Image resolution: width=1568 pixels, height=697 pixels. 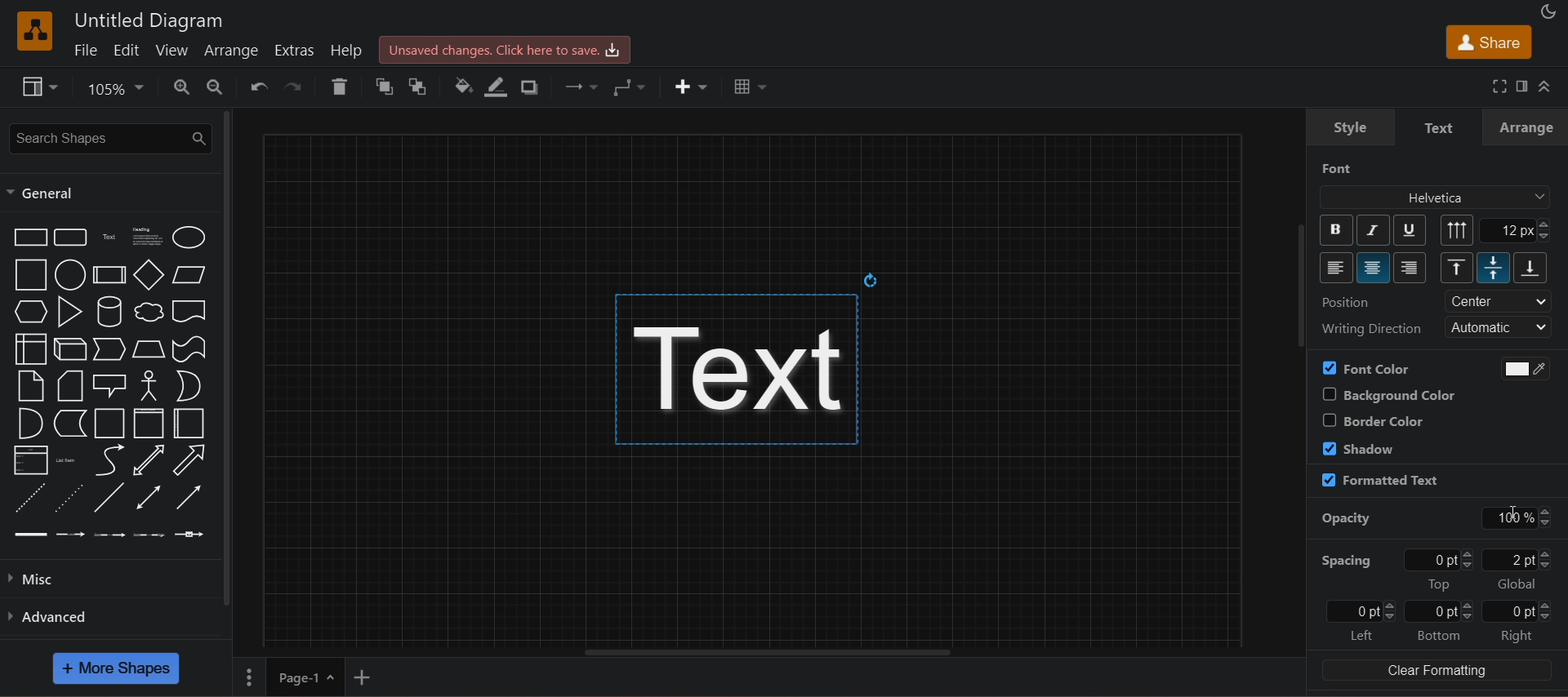 What do you see at coordinates (189, 237) in the screenshot?
I see `ellipse` at bounding box center [189, 237].